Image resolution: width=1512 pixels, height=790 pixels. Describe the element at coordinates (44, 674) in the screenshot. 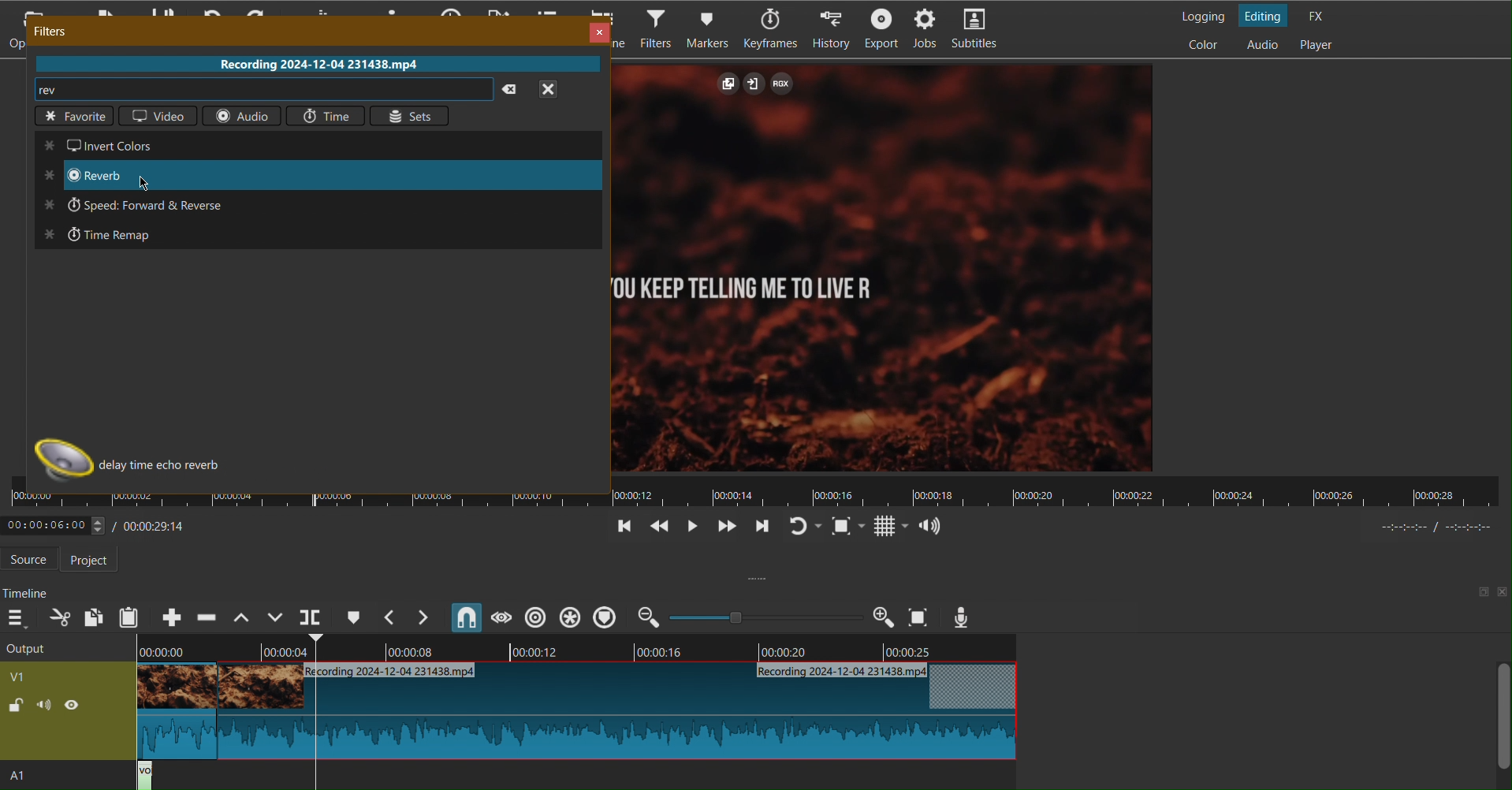

I see `V1` at that location.